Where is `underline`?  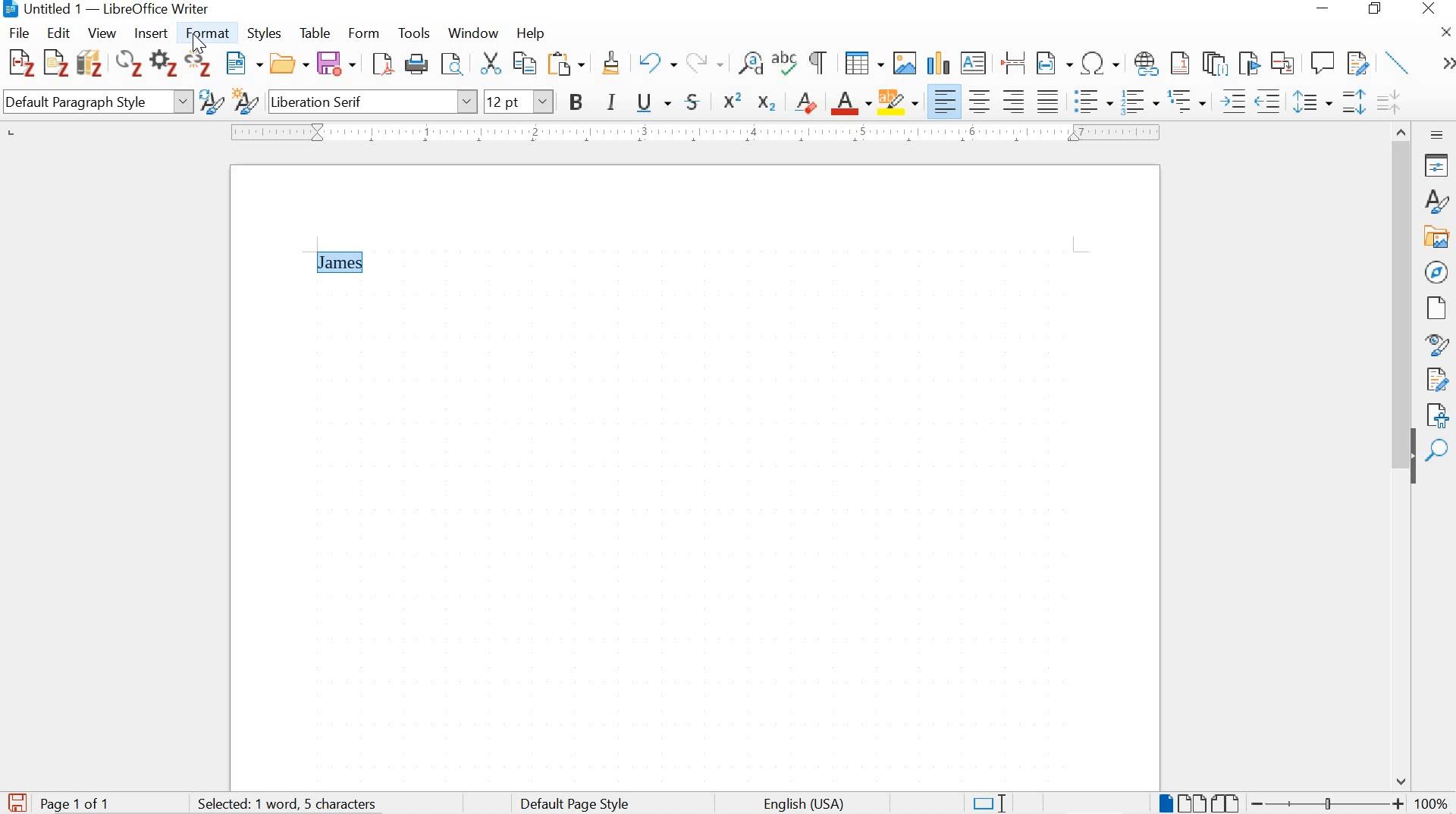 underline is located at coordinates (654, 104).